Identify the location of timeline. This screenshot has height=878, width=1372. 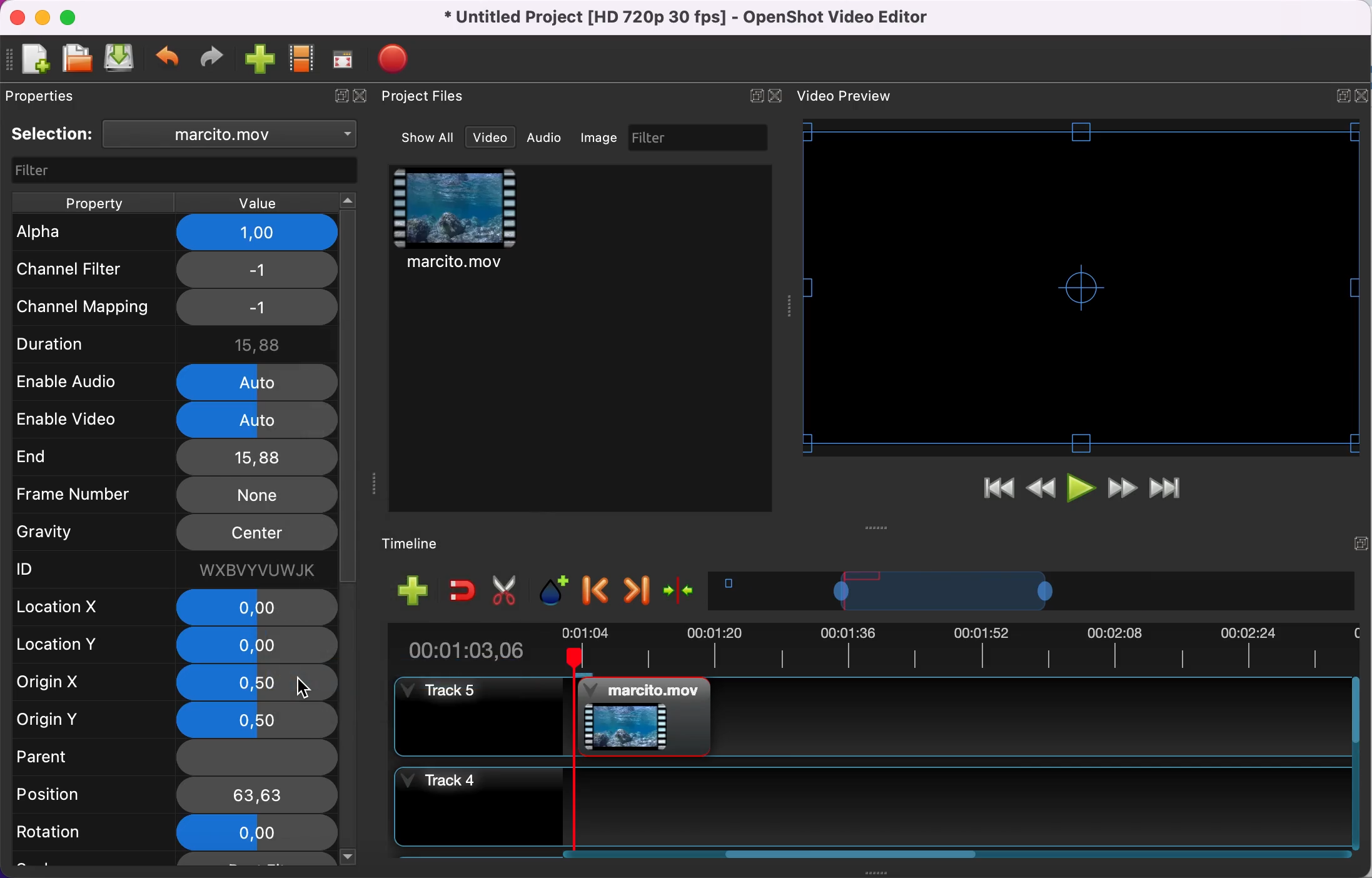
(420, 545).